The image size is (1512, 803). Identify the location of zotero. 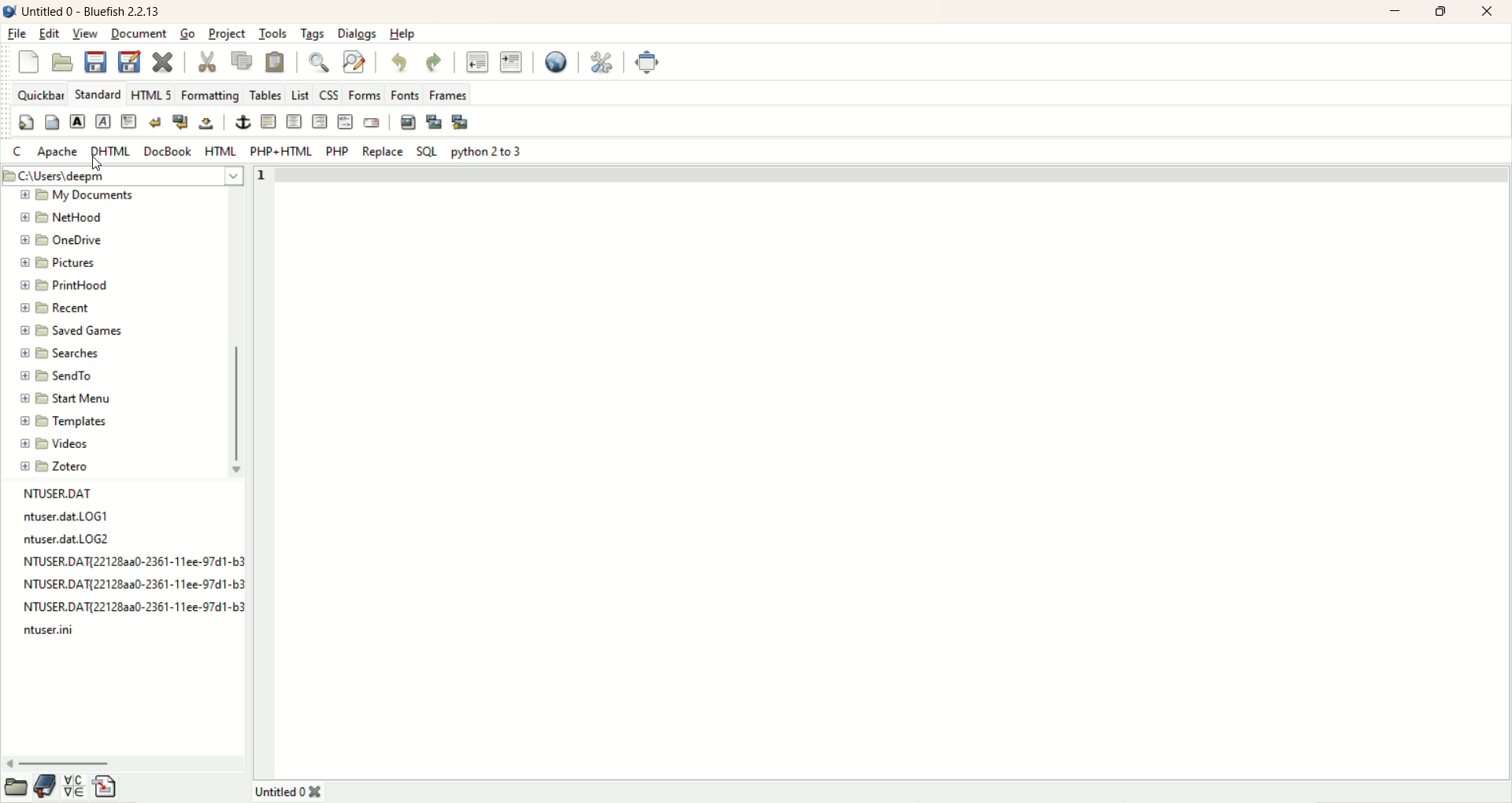
(57, 464).